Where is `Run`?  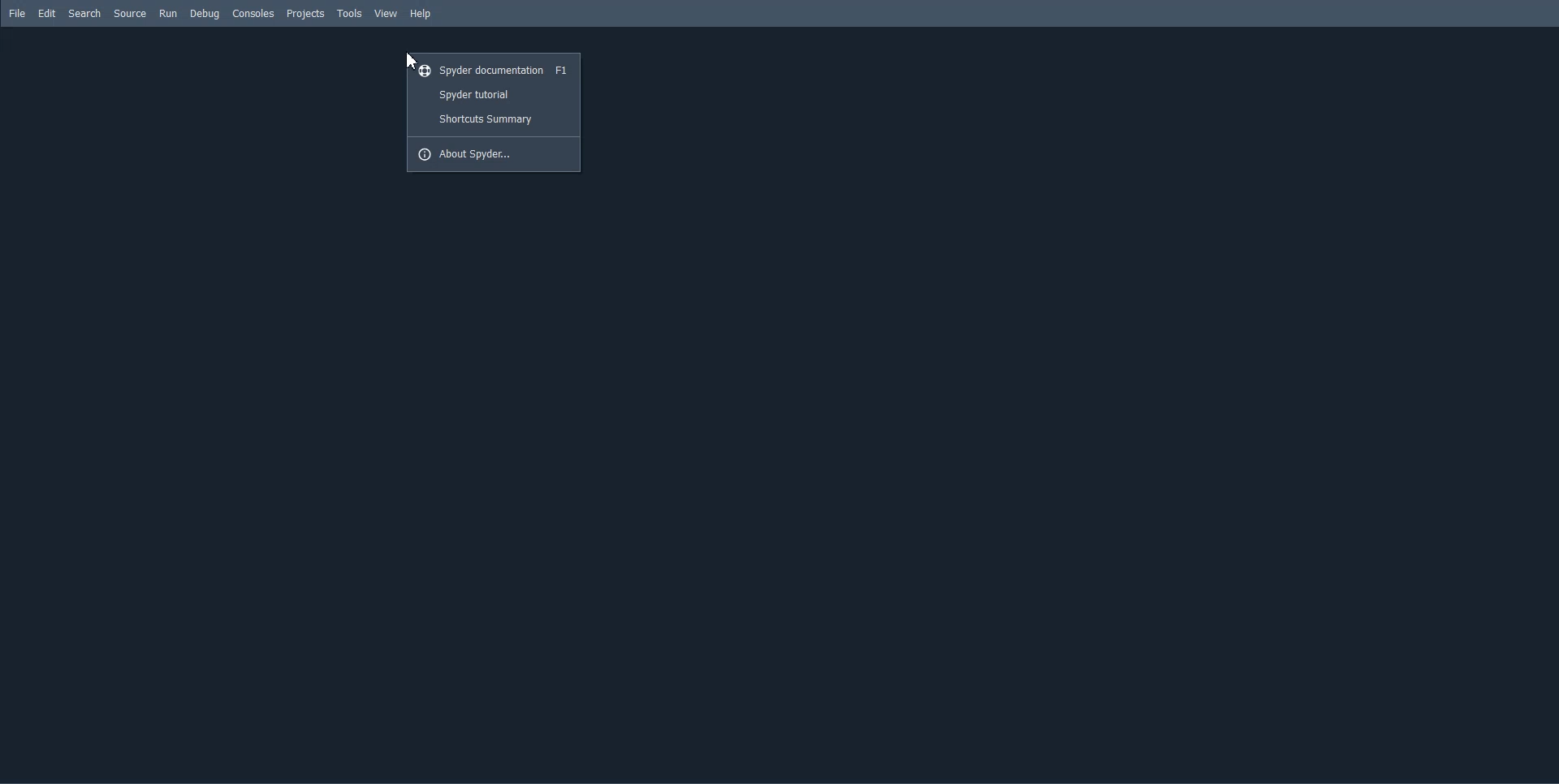 Run is located at coordinates (168, 13).